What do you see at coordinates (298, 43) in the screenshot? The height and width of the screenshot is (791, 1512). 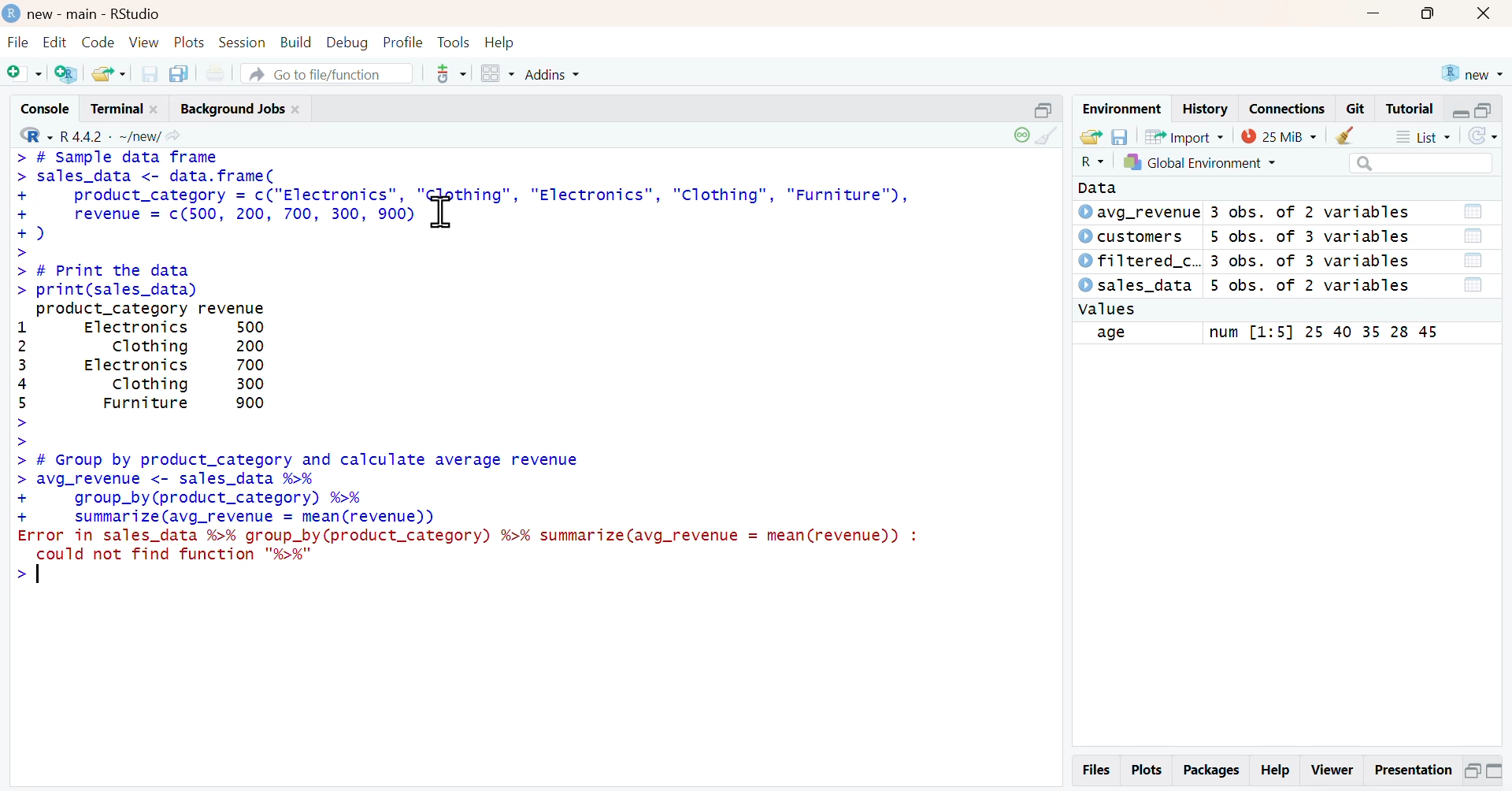 I see `Build` at bounding box center [298, 43].